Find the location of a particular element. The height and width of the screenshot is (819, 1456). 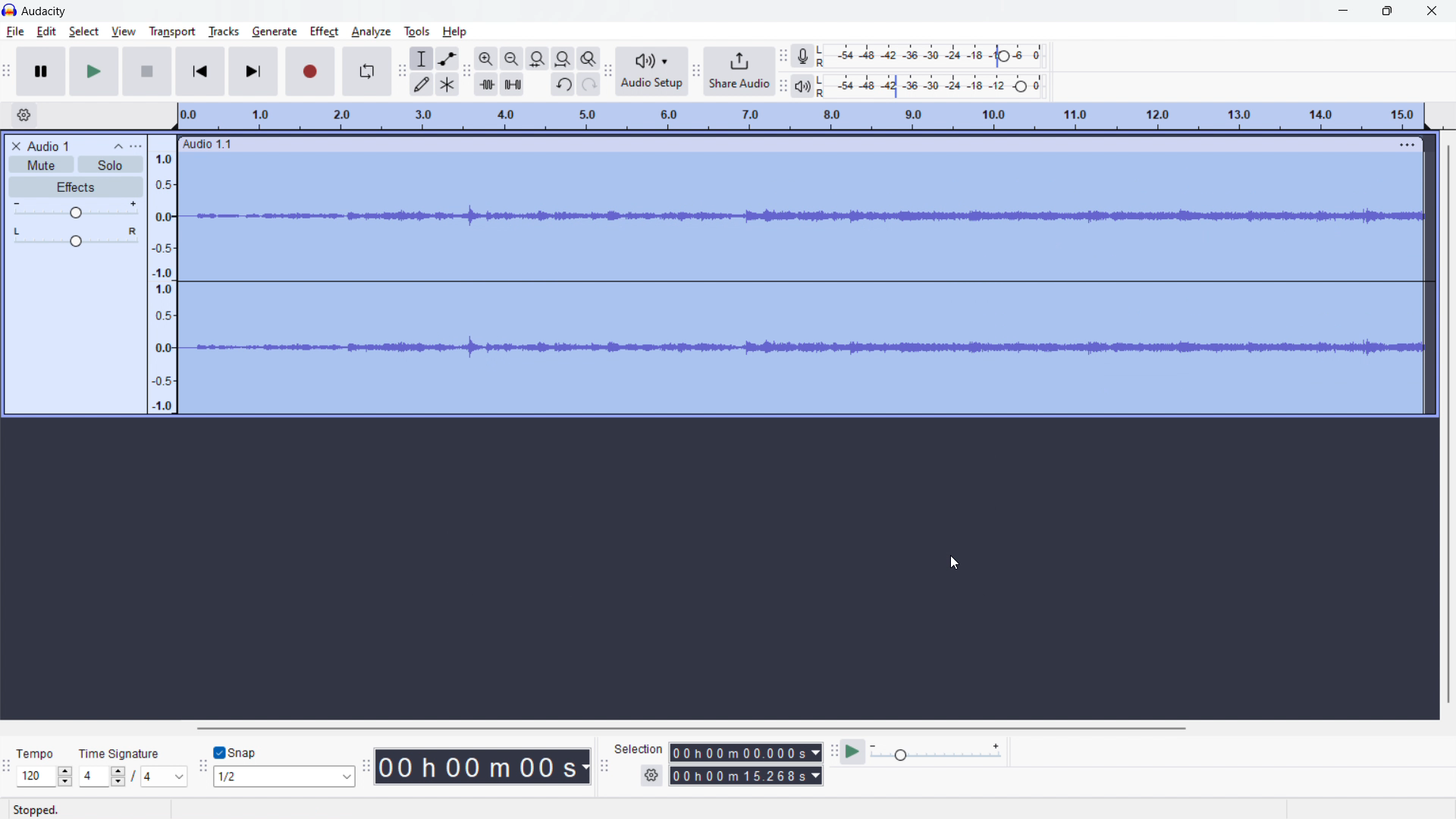

playback speed is located at coordinates (937, 752).